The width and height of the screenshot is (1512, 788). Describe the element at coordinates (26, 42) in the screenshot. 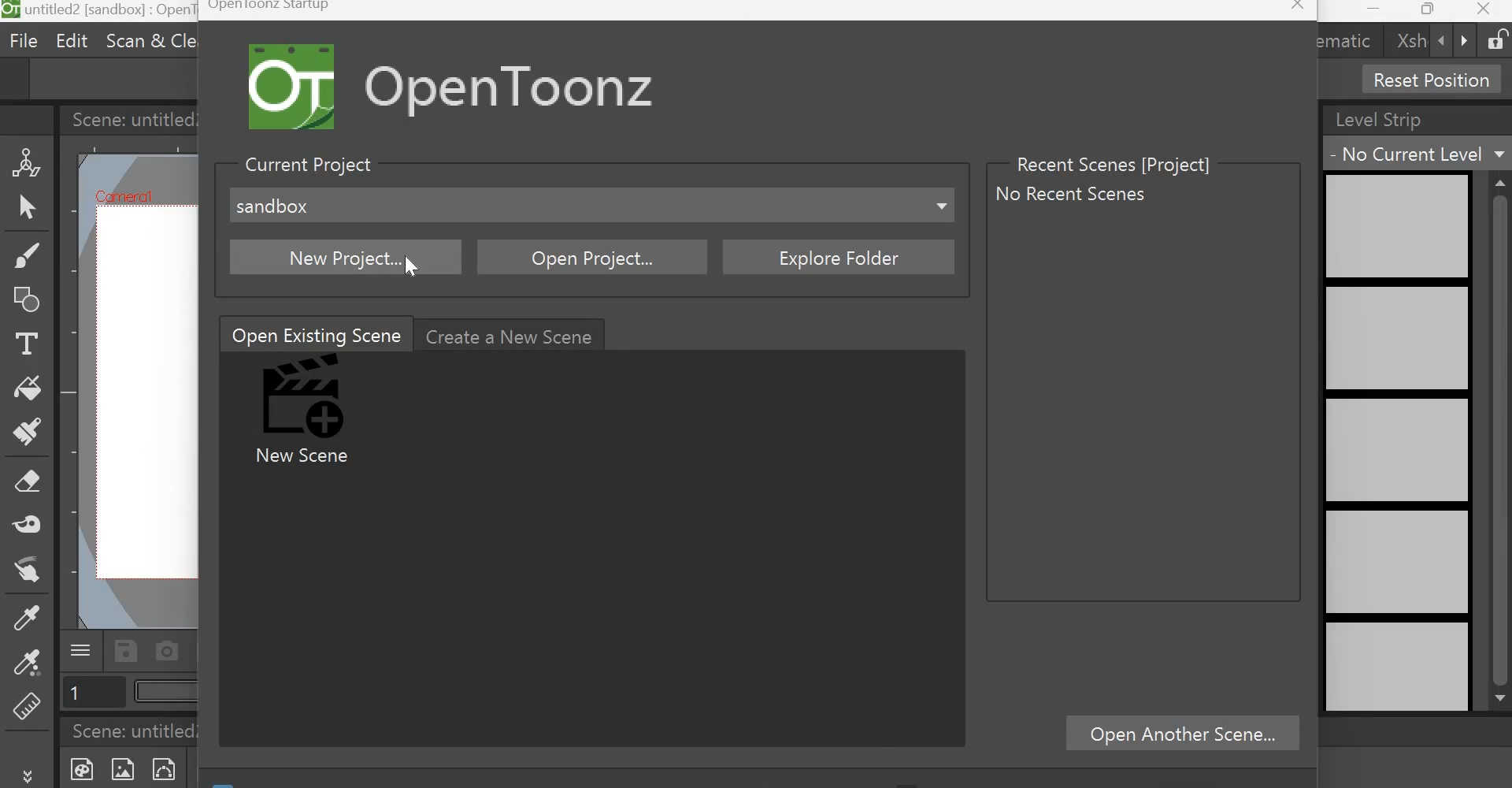

I see `File` at that location.